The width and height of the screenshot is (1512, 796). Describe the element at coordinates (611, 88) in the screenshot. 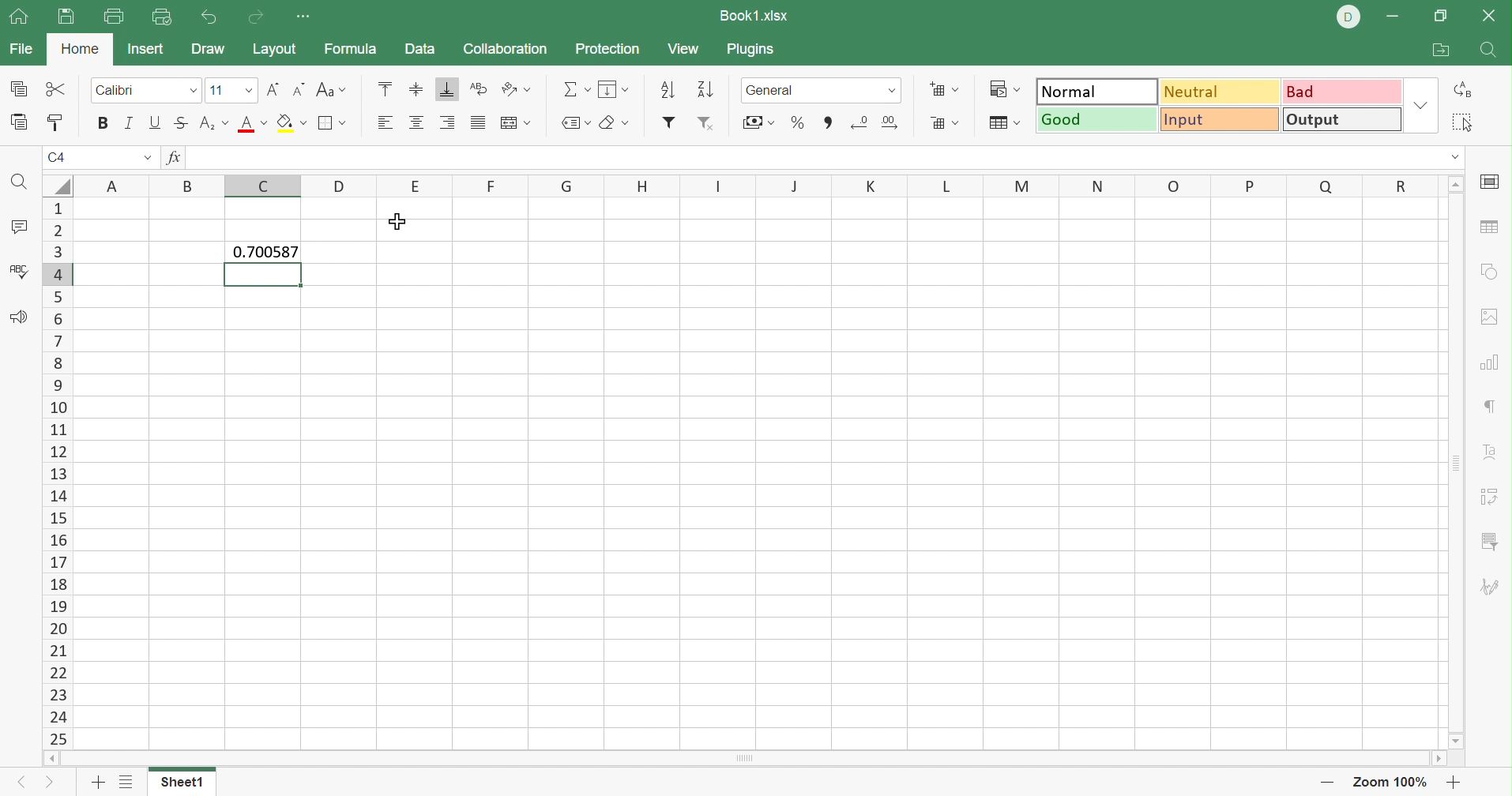

I see `Fill` at that location.